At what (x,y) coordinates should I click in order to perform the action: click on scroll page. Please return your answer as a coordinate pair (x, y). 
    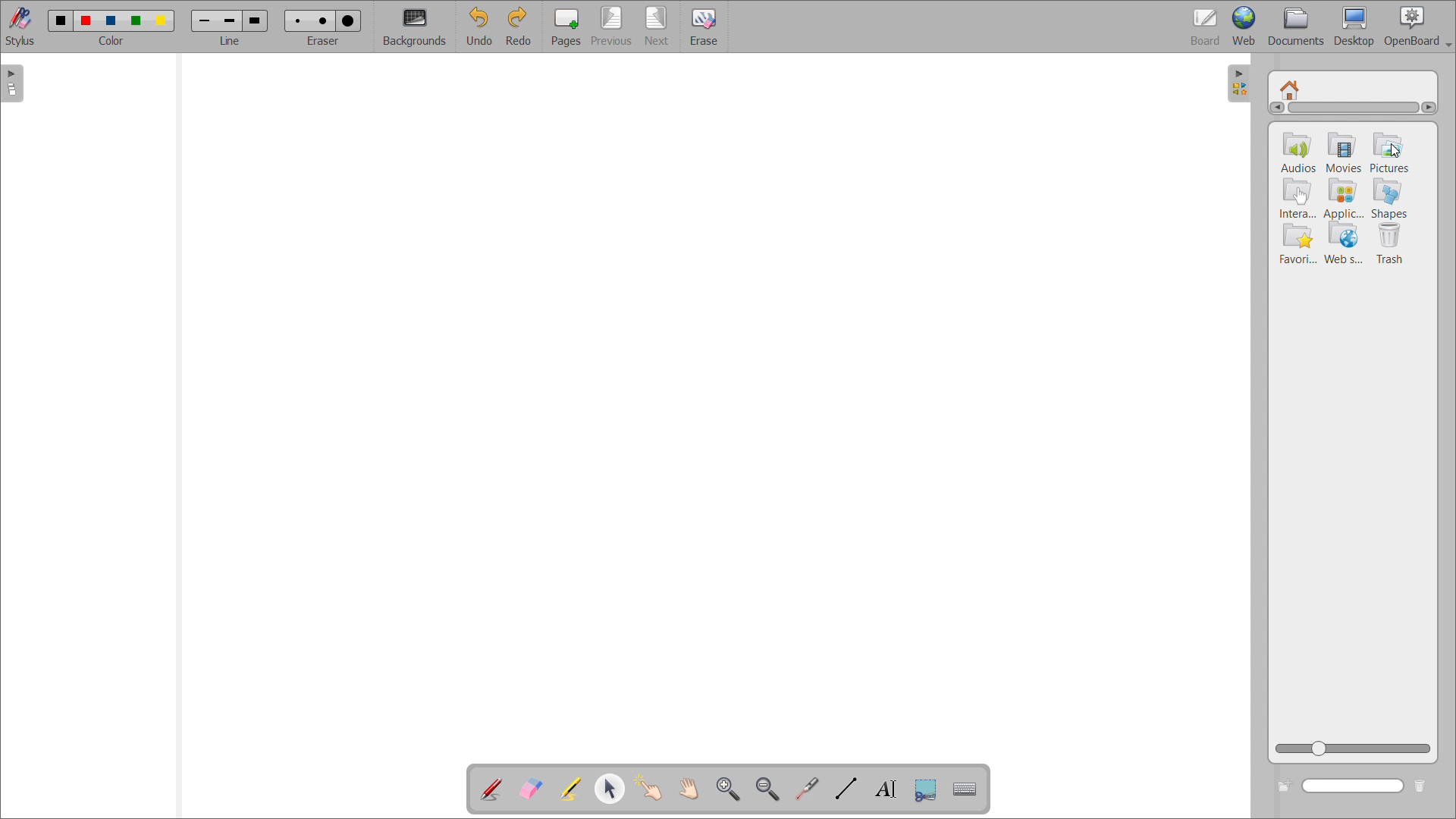
    Looking at the image, I should click on (688, 789).